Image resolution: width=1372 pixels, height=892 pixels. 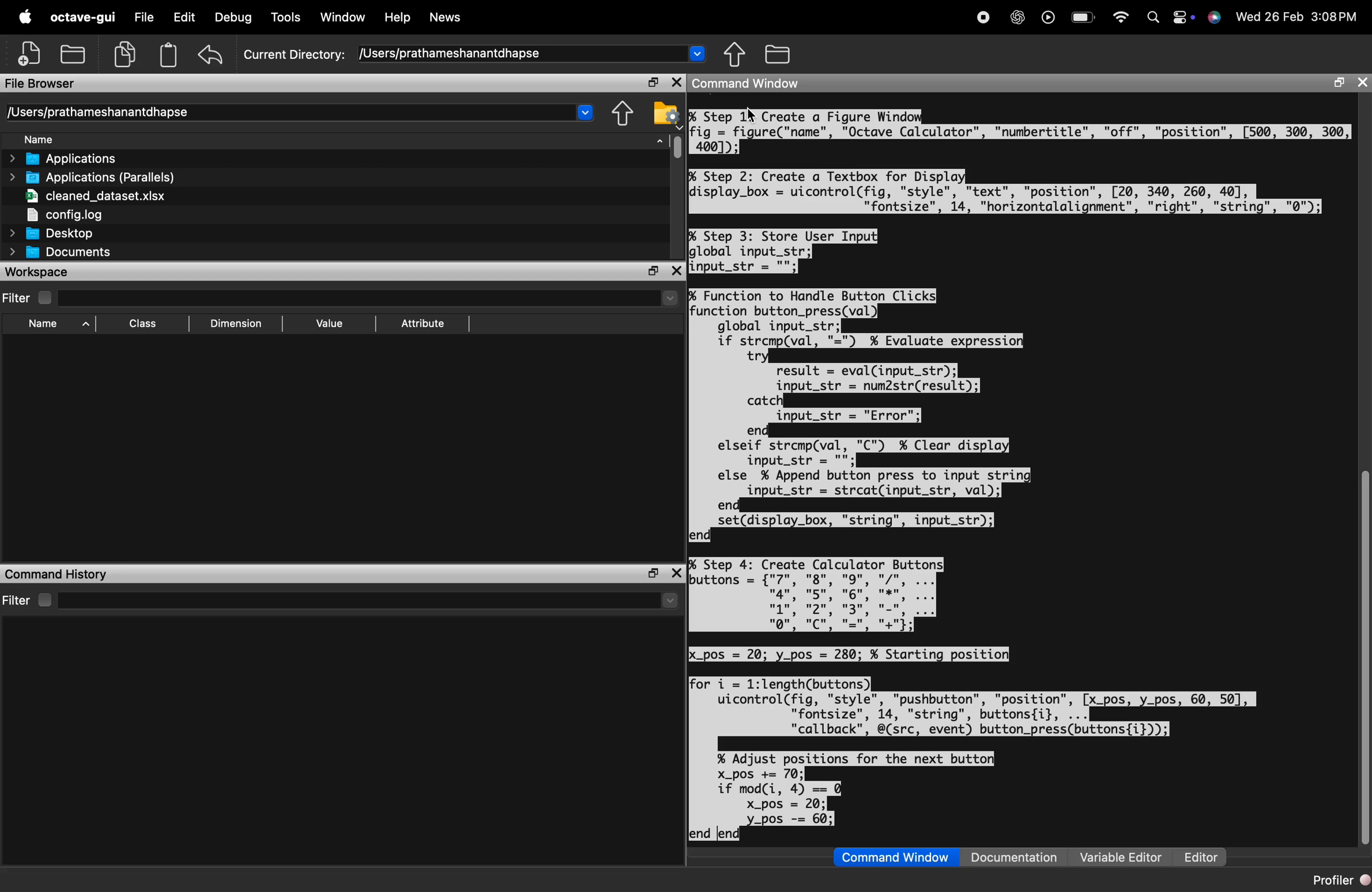 What do you see at coordinates (235, 322) in the screenshot?
I see `Dimension` at bounding box center [235, 322].